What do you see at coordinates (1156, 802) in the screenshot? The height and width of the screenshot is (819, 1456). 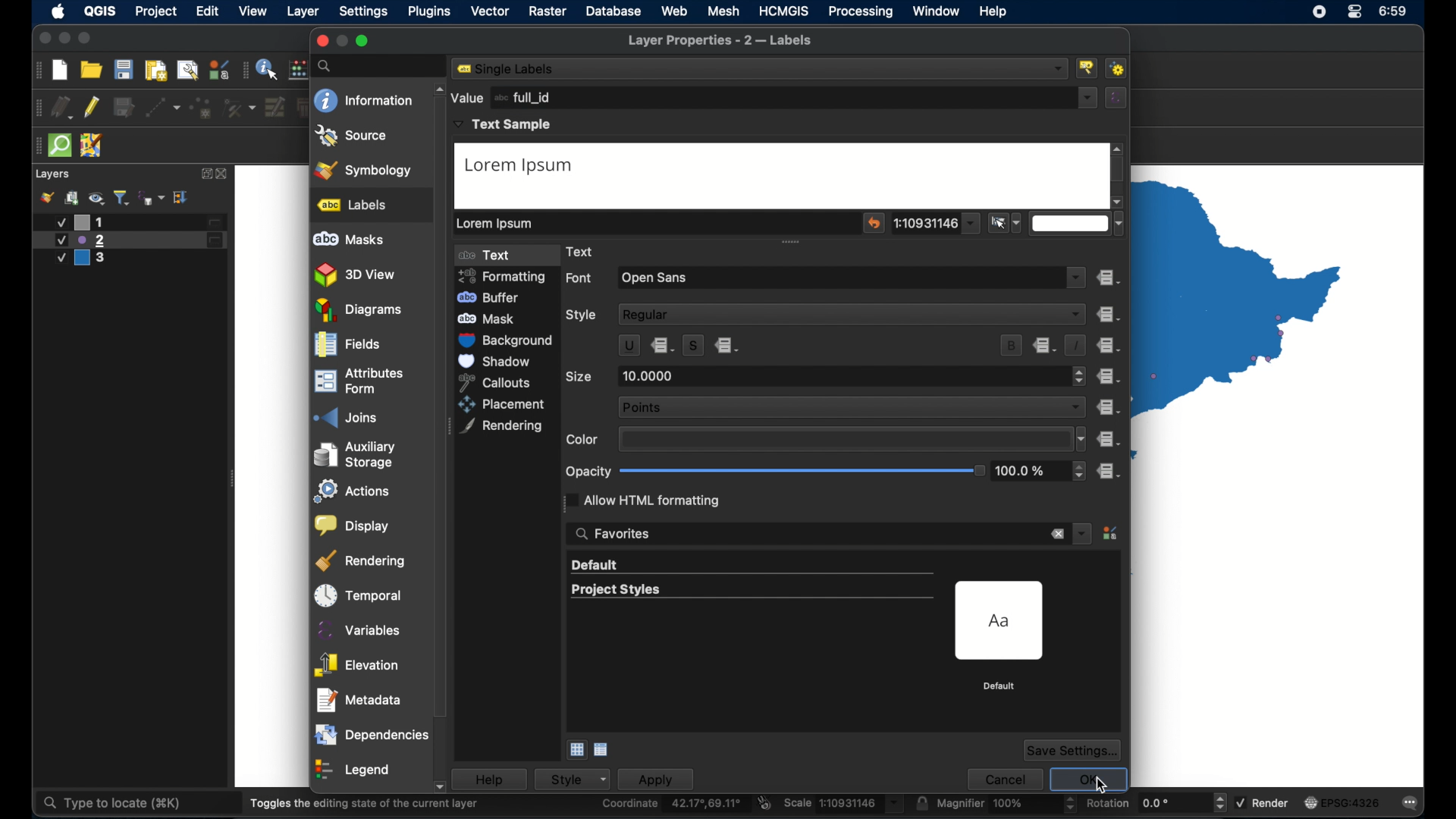 I see `rotation` at bounding box center [1156, 802].